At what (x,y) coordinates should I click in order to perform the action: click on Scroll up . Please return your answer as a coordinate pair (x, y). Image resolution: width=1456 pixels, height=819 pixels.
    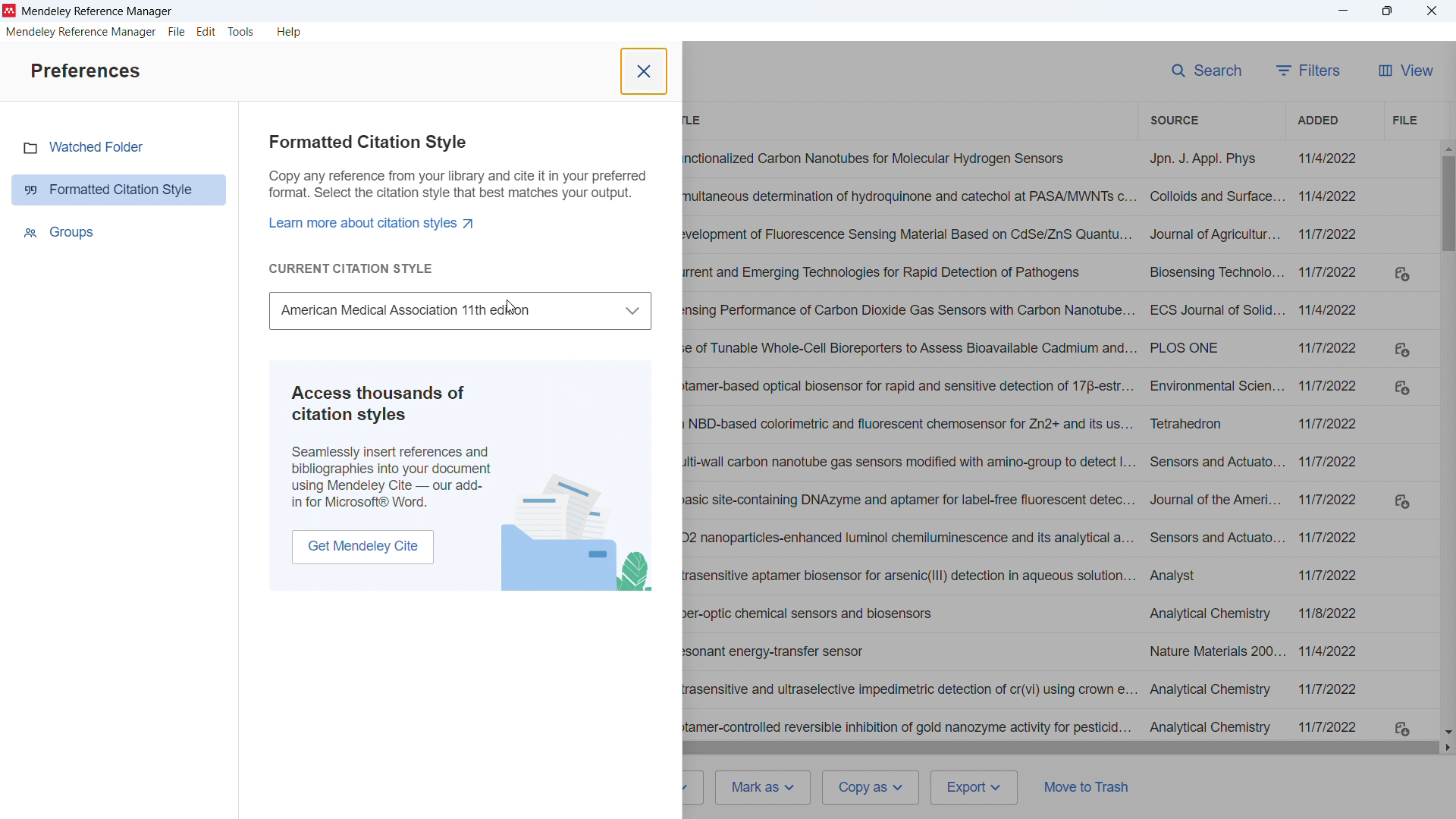
    Looking at the image, I should click on (1447, 149).